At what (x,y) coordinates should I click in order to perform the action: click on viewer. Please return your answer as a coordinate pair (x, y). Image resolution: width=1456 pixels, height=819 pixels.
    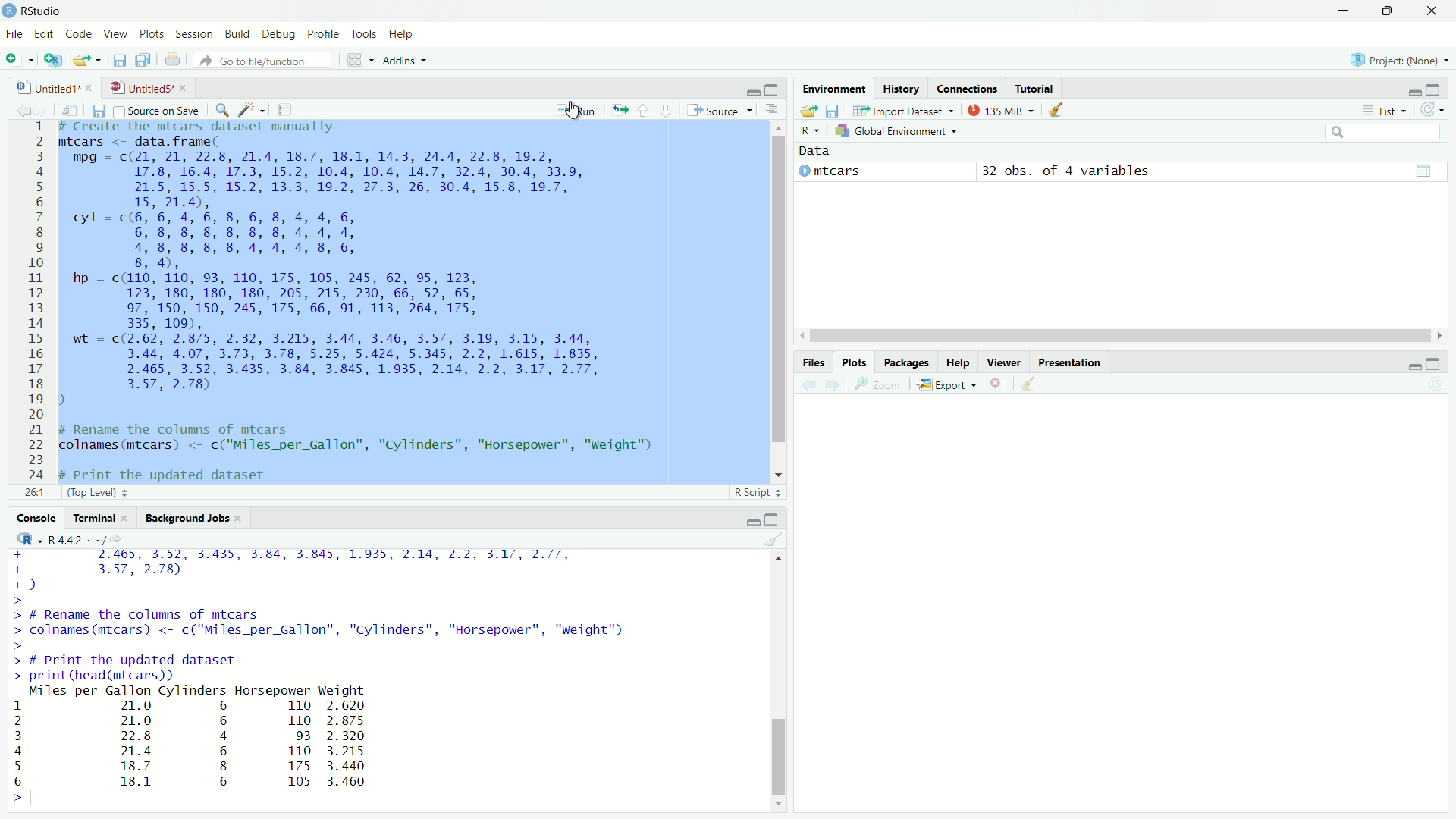
    Looking at the image, I should click on (1005, 363).